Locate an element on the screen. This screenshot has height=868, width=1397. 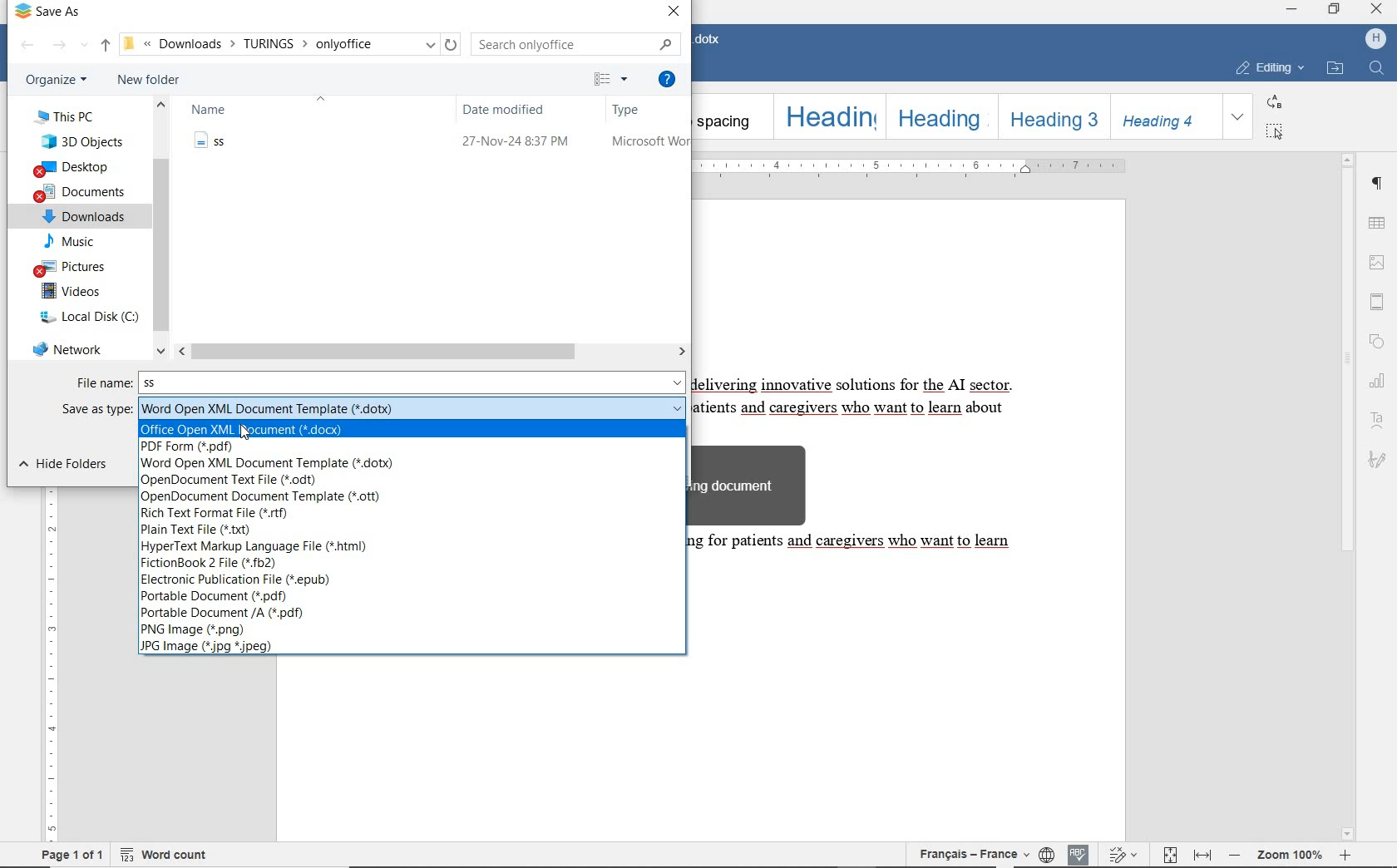
VIDEOS is located at coordinates (72, 291).